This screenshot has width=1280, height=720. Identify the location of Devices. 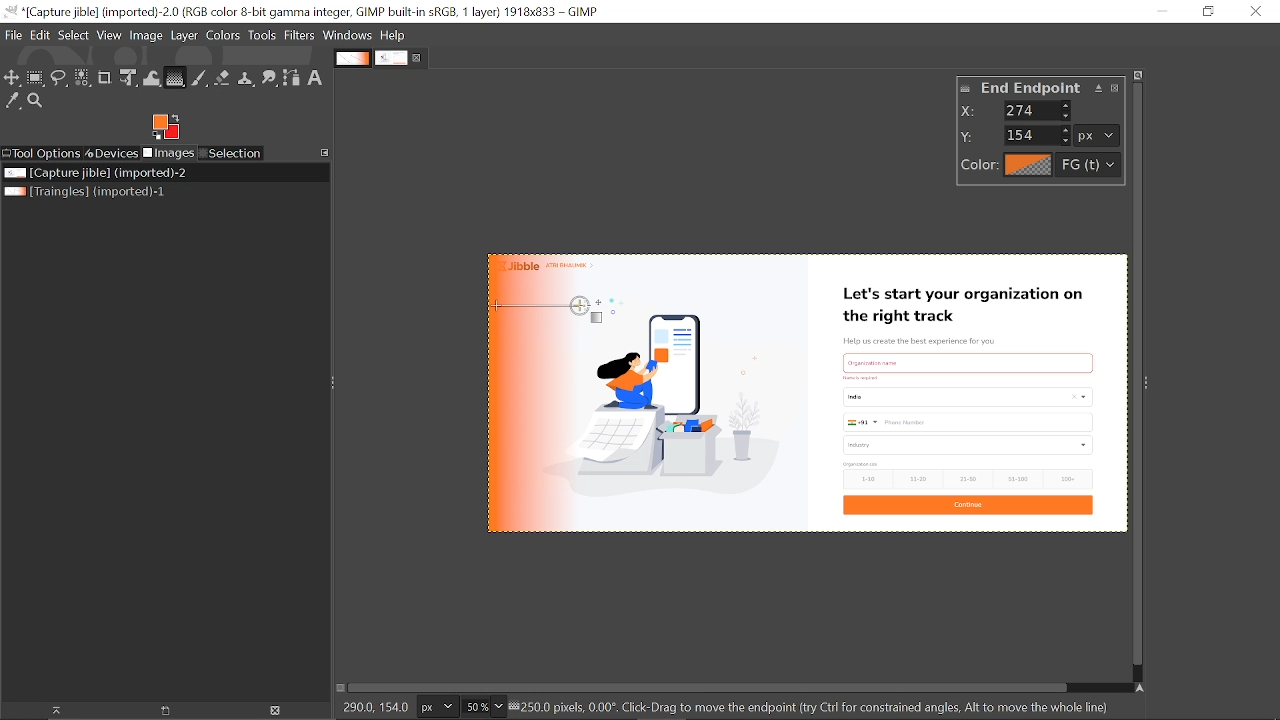
(112, 153).